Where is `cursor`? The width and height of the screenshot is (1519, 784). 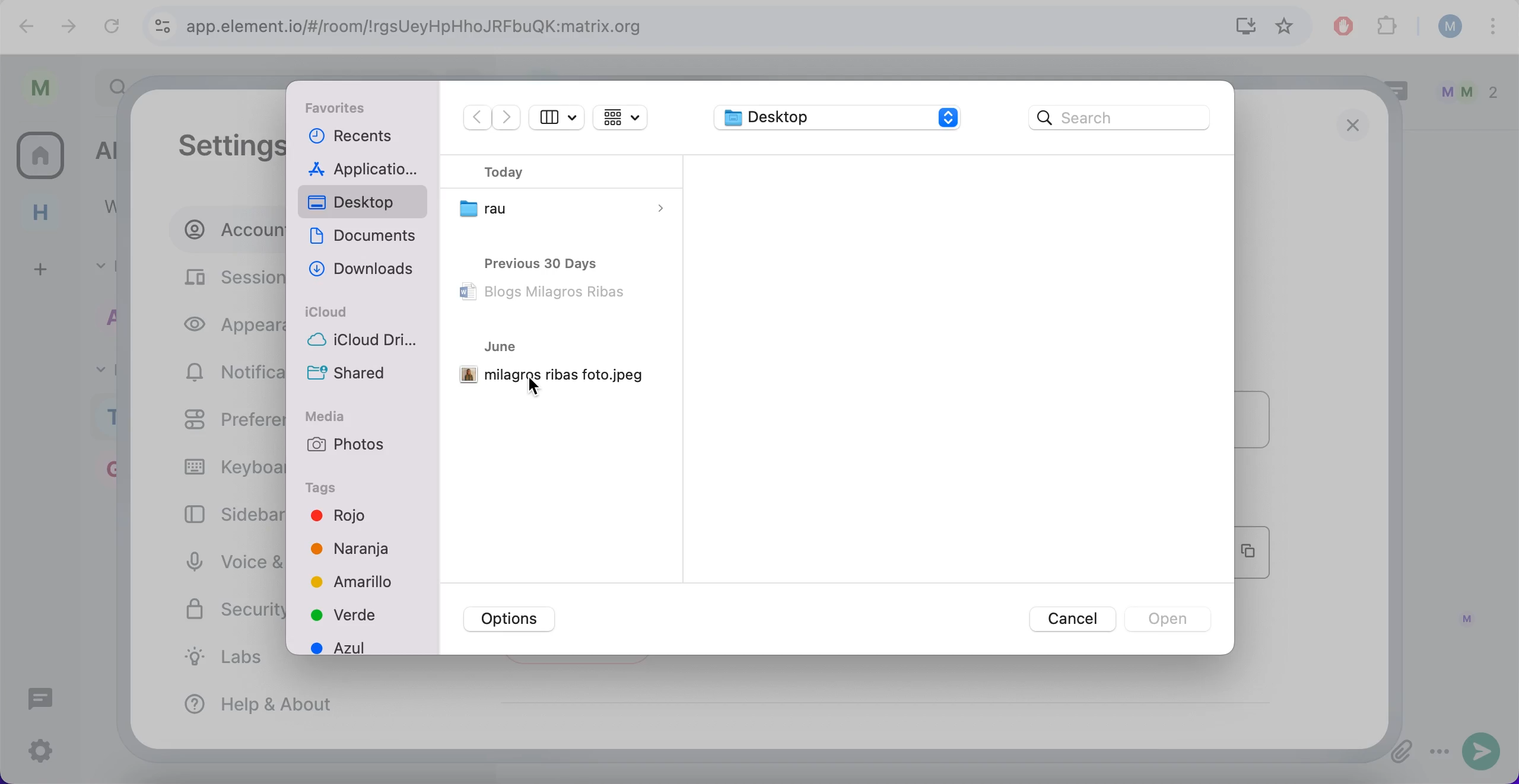 cursor is located at coordinates (535, 386).